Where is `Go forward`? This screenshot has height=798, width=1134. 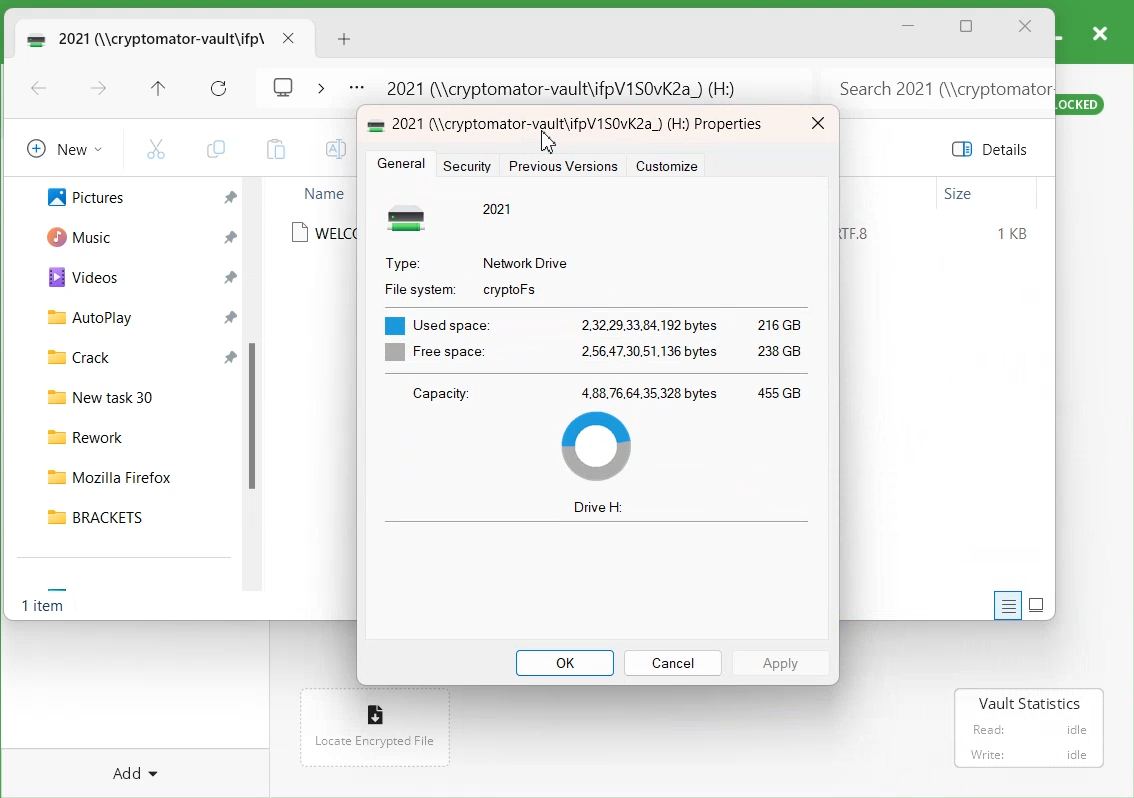 Go forward is located at coordinates (99, 90).